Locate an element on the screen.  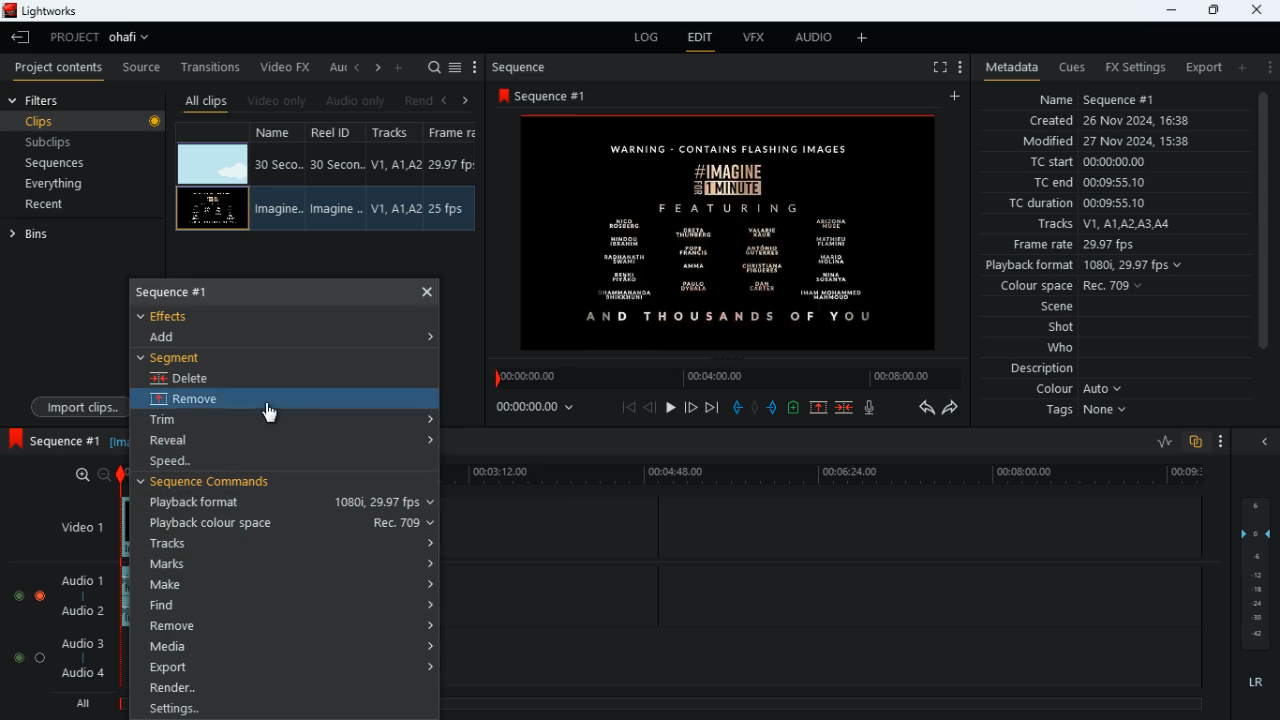
up is located at coordinates (819, 408).